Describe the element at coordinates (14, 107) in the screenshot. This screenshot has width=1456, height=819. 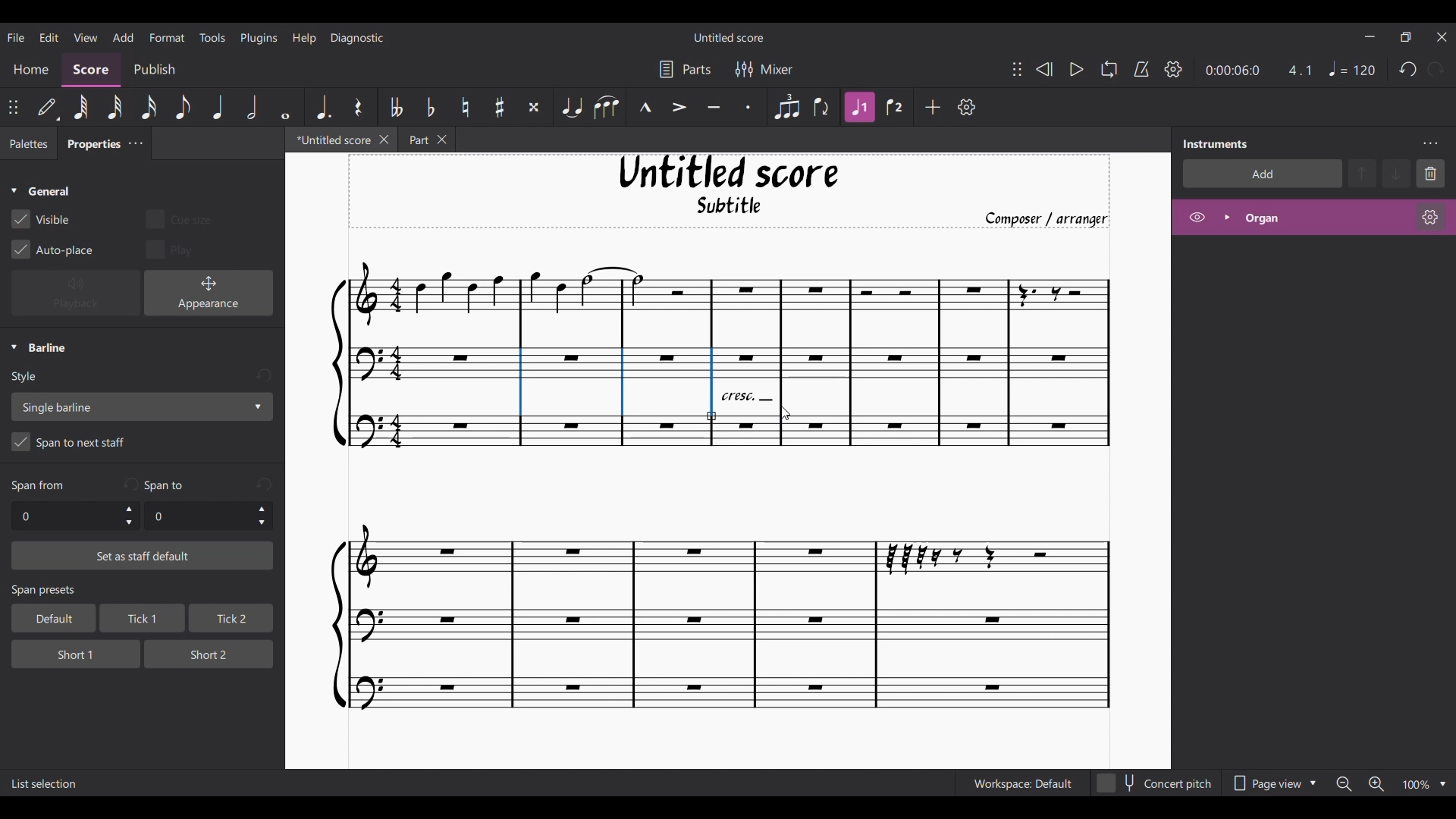
I see `Change position of toolbar attached` at that location.